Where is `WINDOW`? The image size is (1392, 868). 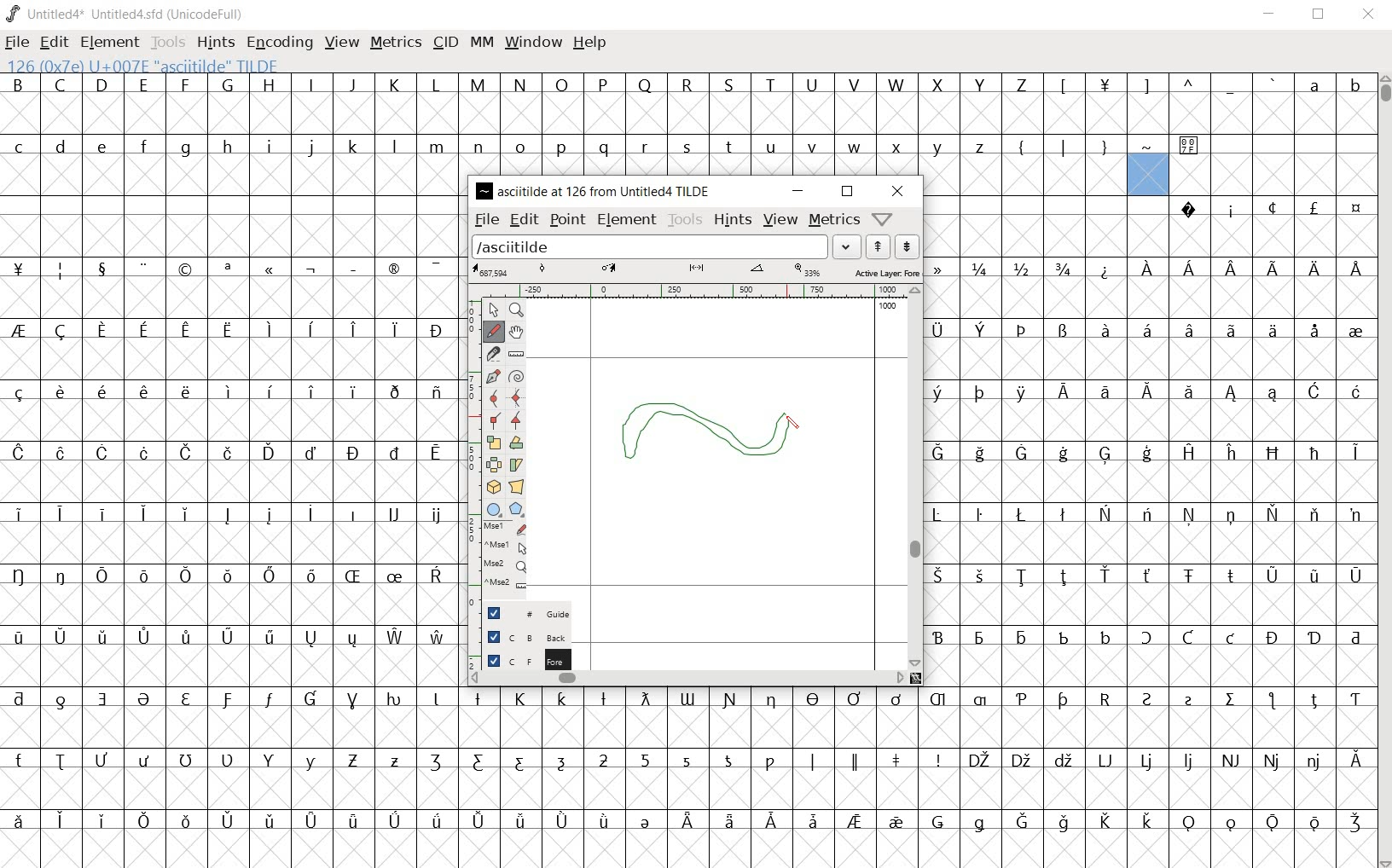
WINDOW is located at coordinates (536, 42).